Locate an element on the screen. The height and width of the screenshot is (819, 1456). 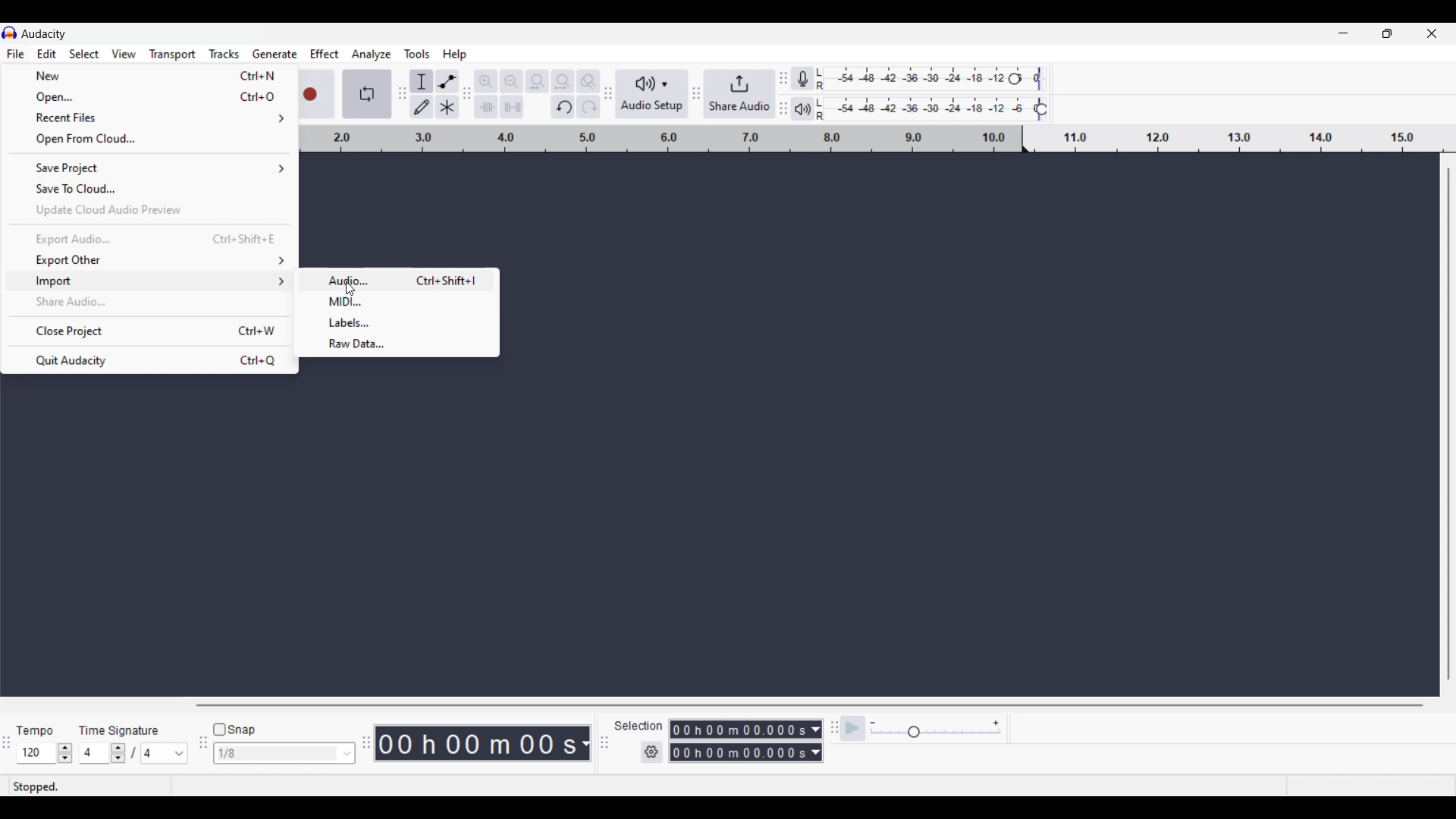
Import options is located at coordinates (149, 282).